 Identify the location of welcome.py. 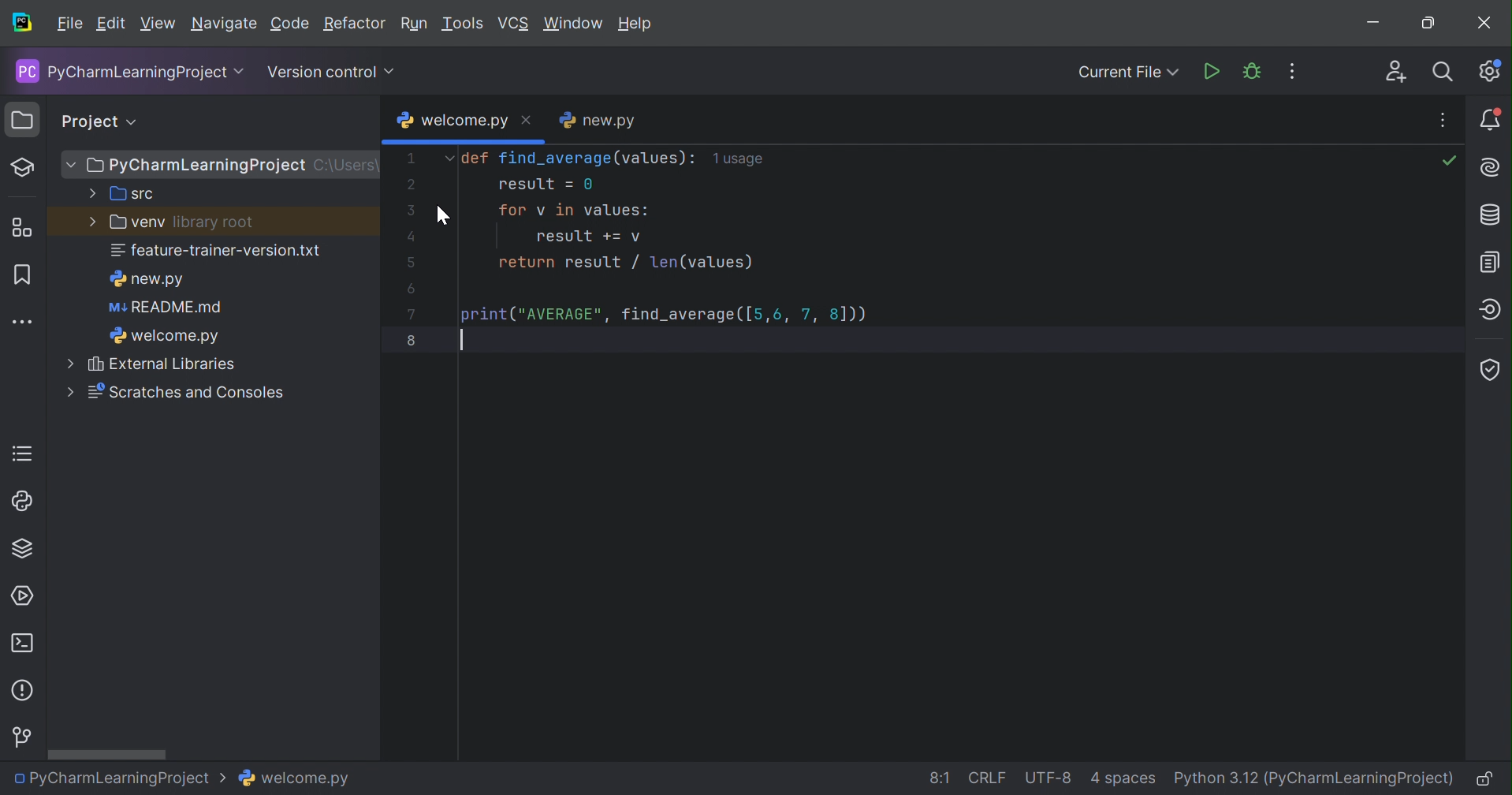
(297, 781).